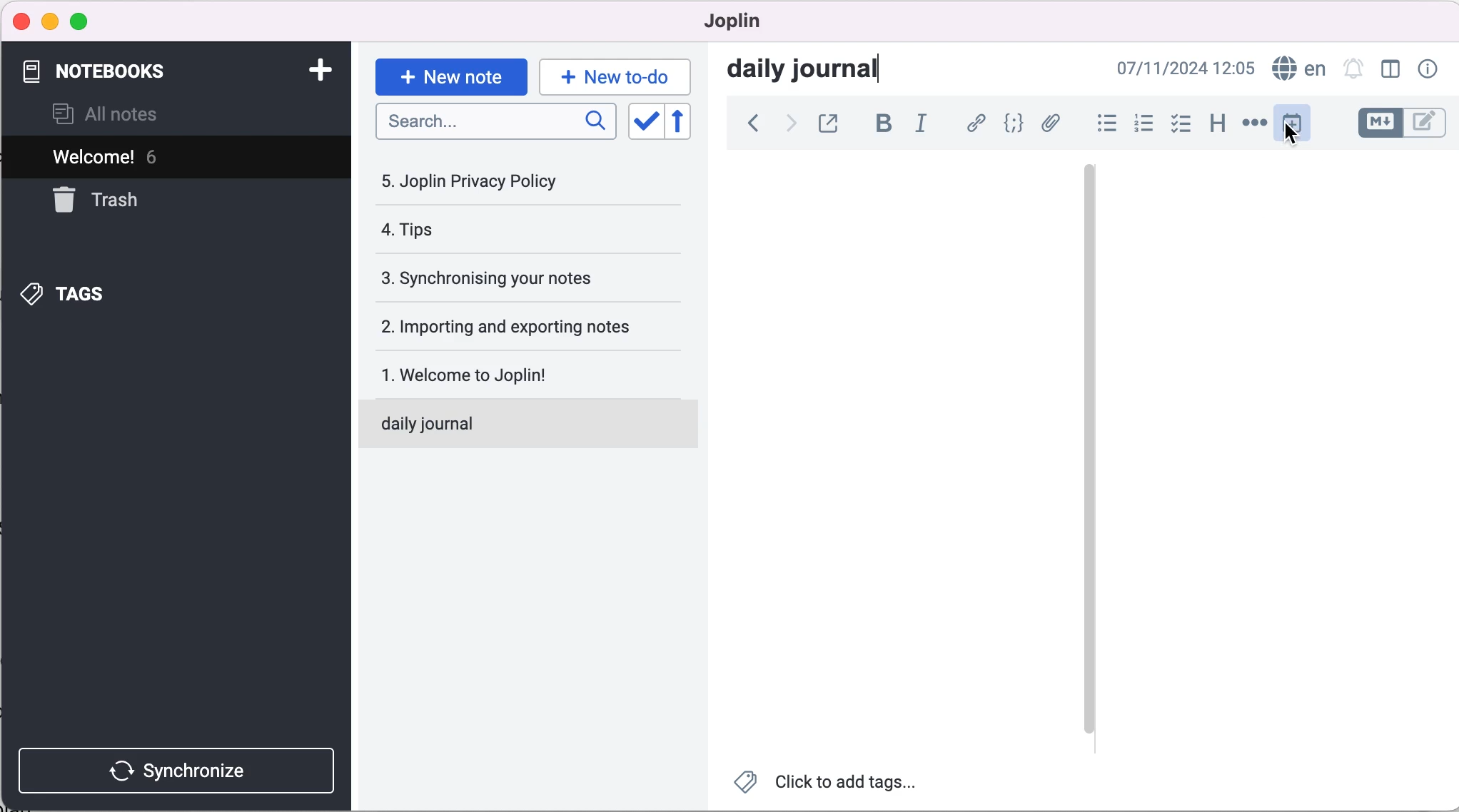 This screenshot has width=1459, height=812. Describe the element at coordinates (1254, 448) in the screenshot. I see `` at that location.